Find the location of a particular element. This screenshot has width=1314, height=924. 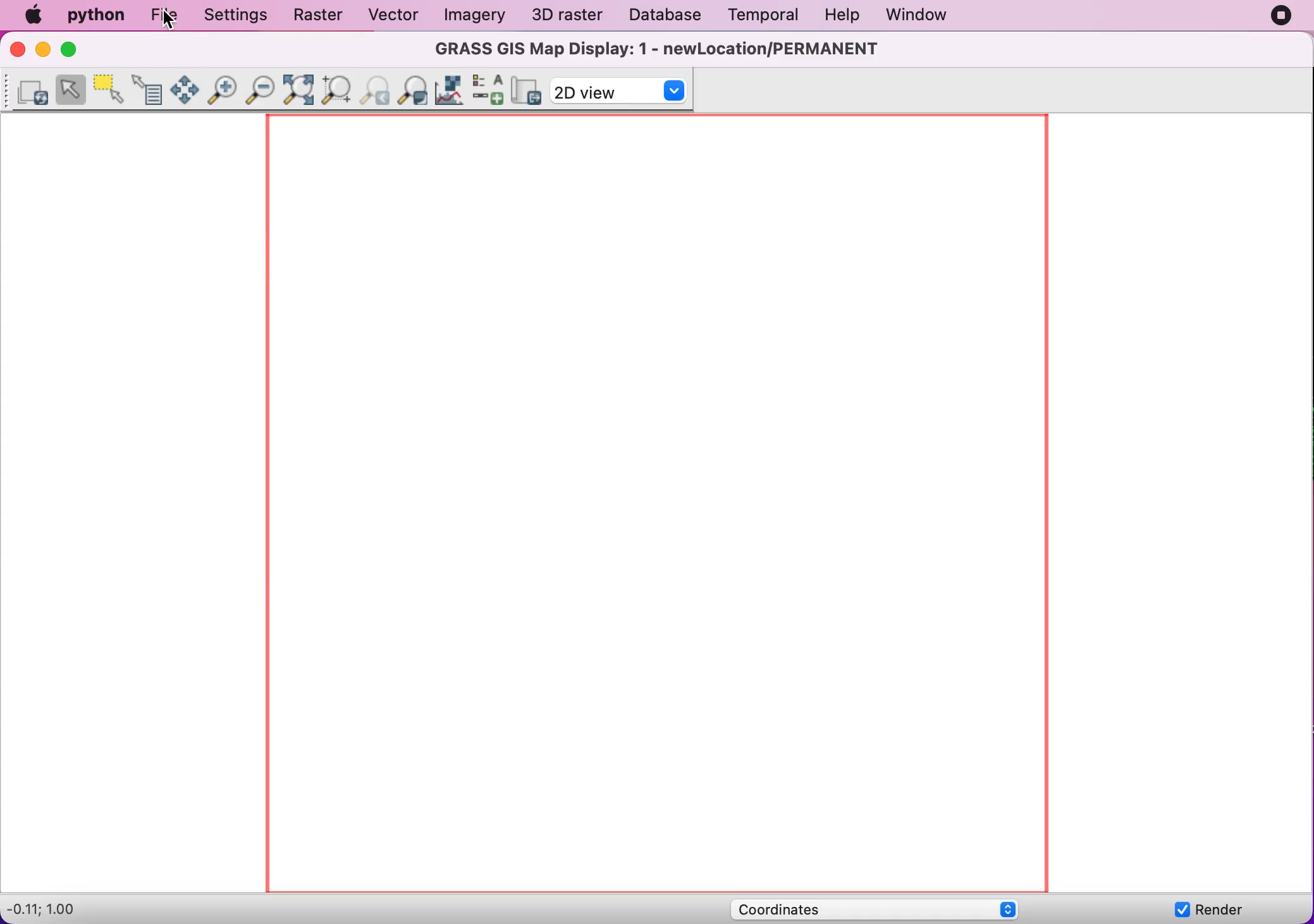

minimize is located at coordinates (40, 51).